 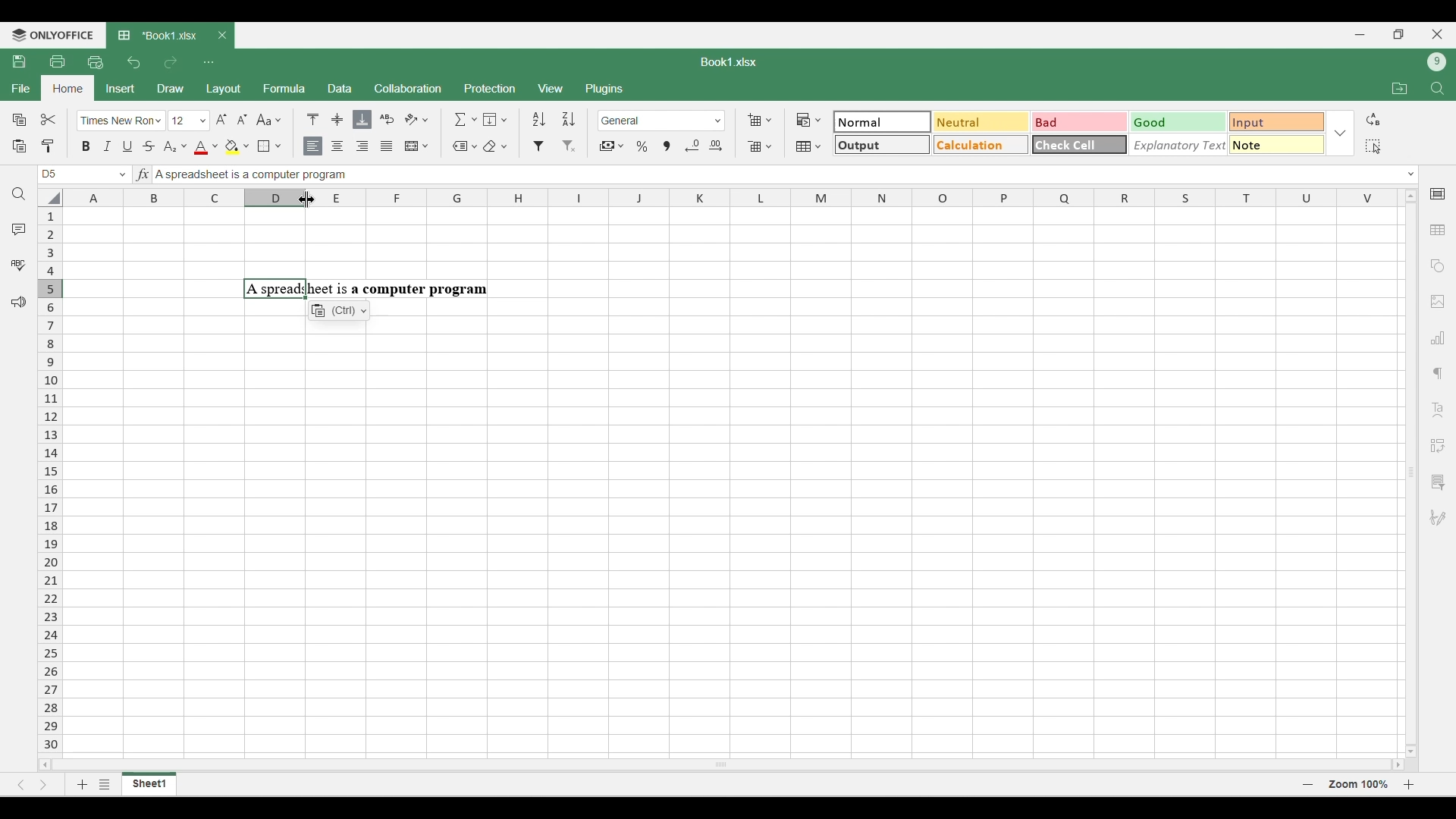 What do you see at coordinates (552, 89) in the screenshot?
I see `View menu` at bounding box center [552, 89].